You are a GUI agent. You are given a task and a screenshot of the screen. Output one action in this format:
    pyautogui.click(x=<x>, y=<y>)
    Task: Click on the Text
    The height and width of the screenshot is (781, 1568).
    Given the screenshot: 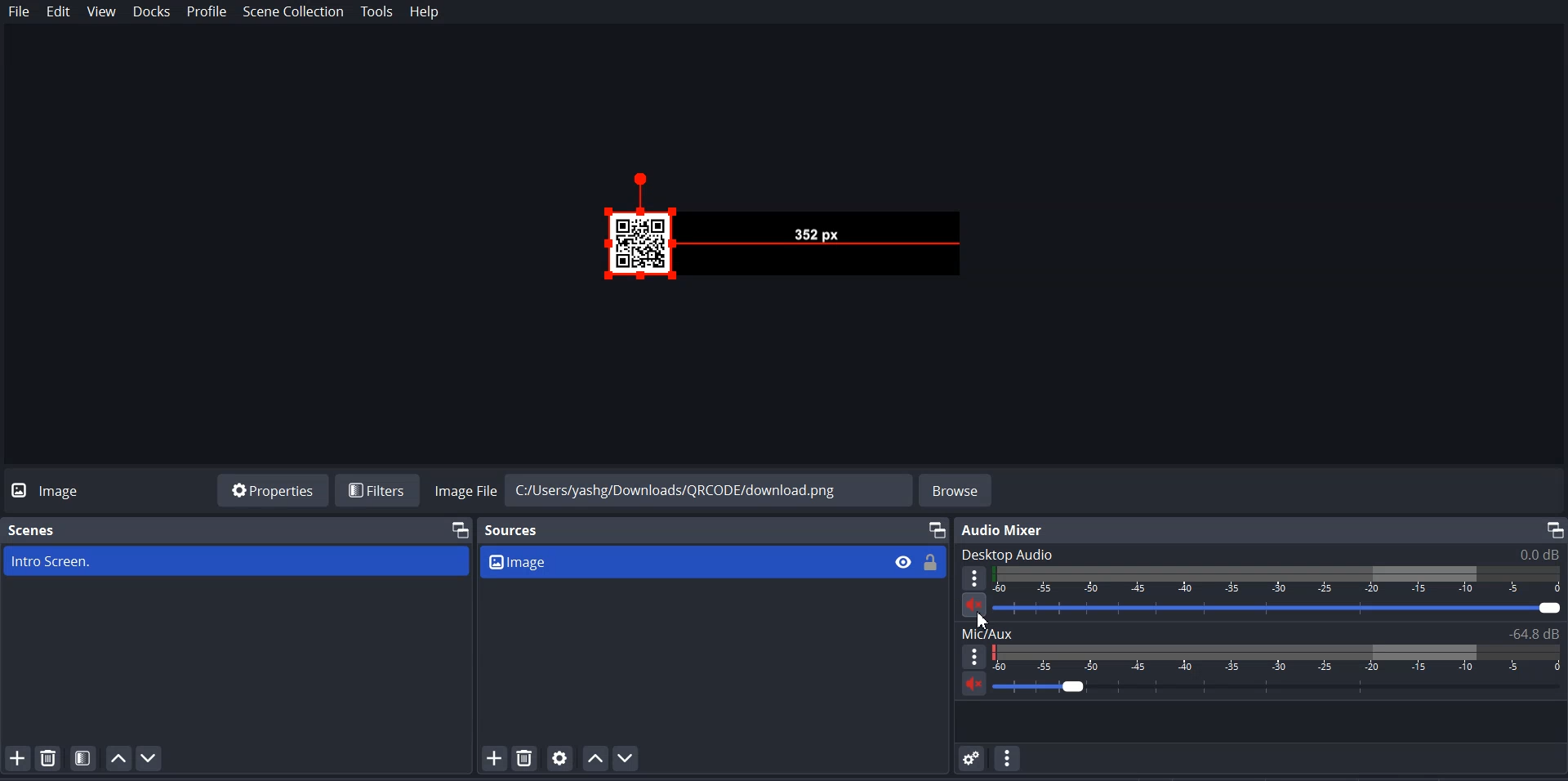 What is the action you would take?
    pyautogui.click(x=1006, y=530)
    